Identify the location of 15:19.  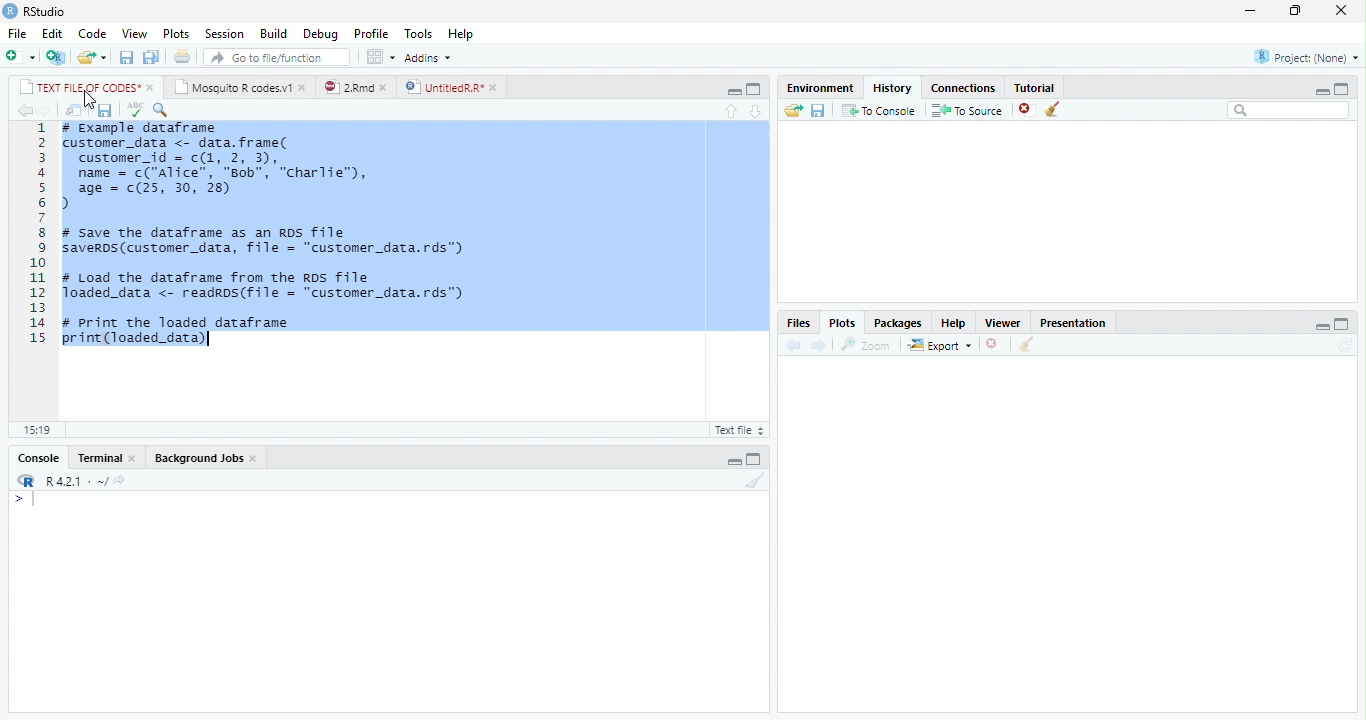
(39, 430).